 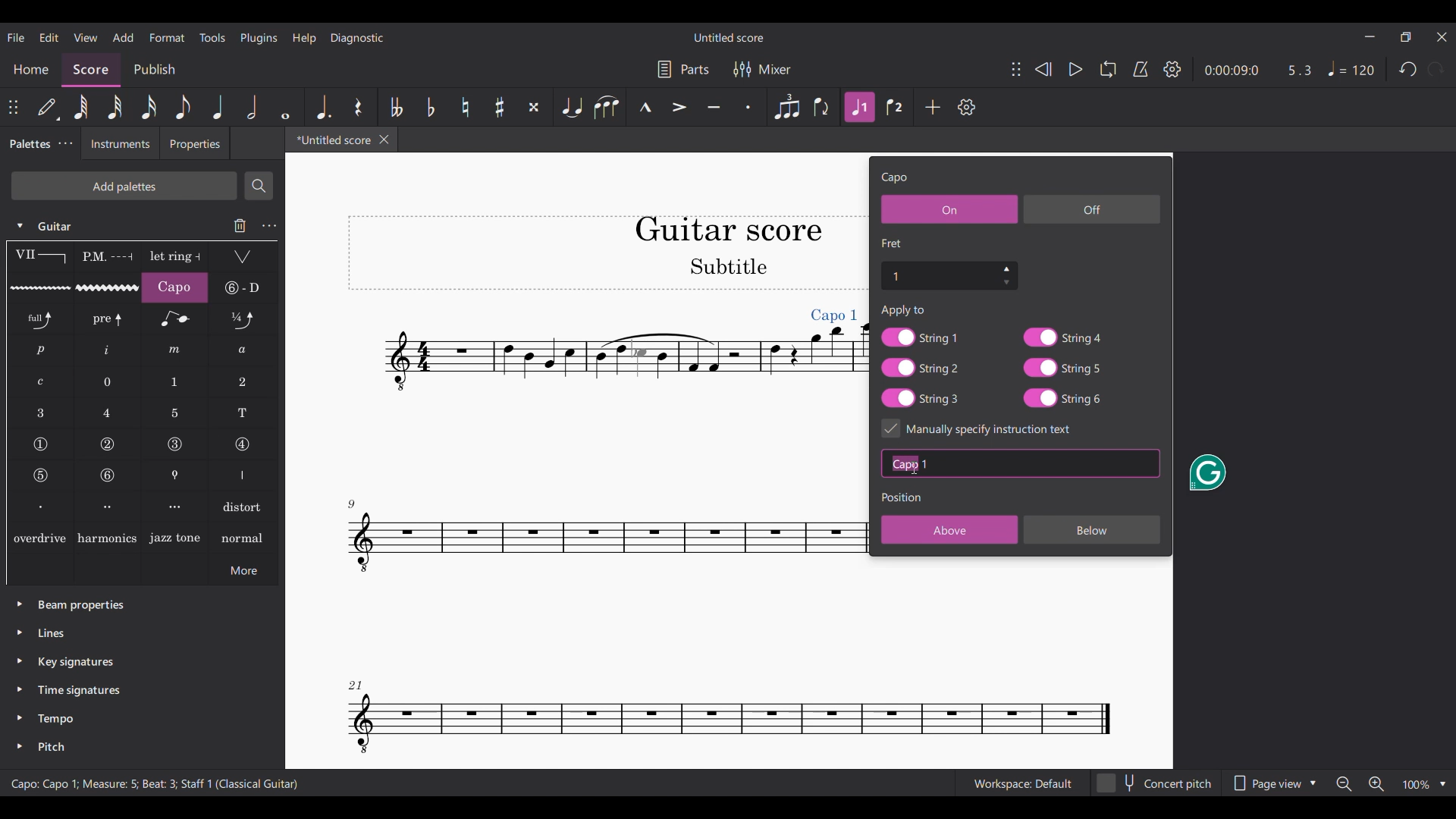 I want to click on String number 5, so click(x=41, y=475).